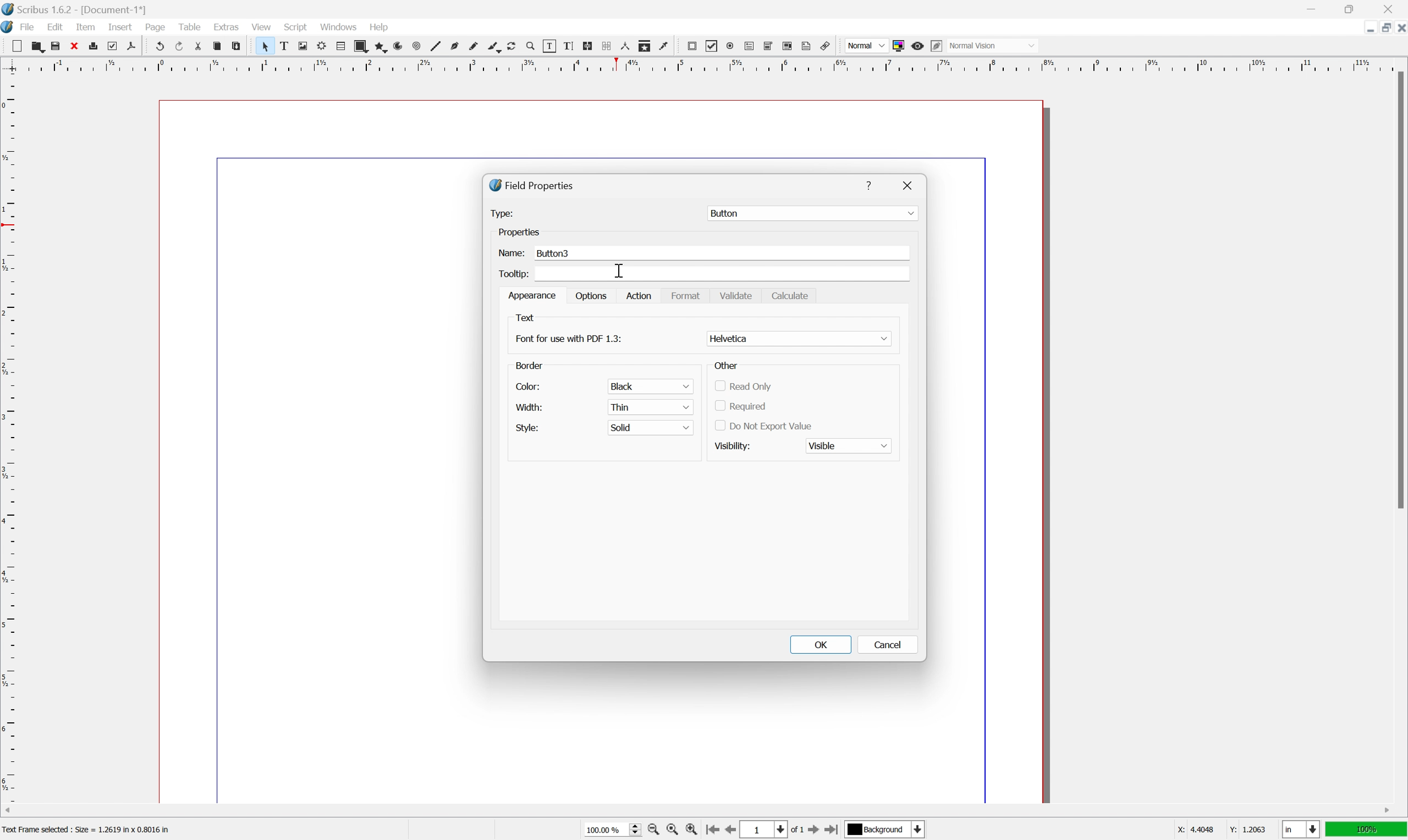  Describe the element at coordinates (649, 386) in the screenshot. I see `black` at that location.